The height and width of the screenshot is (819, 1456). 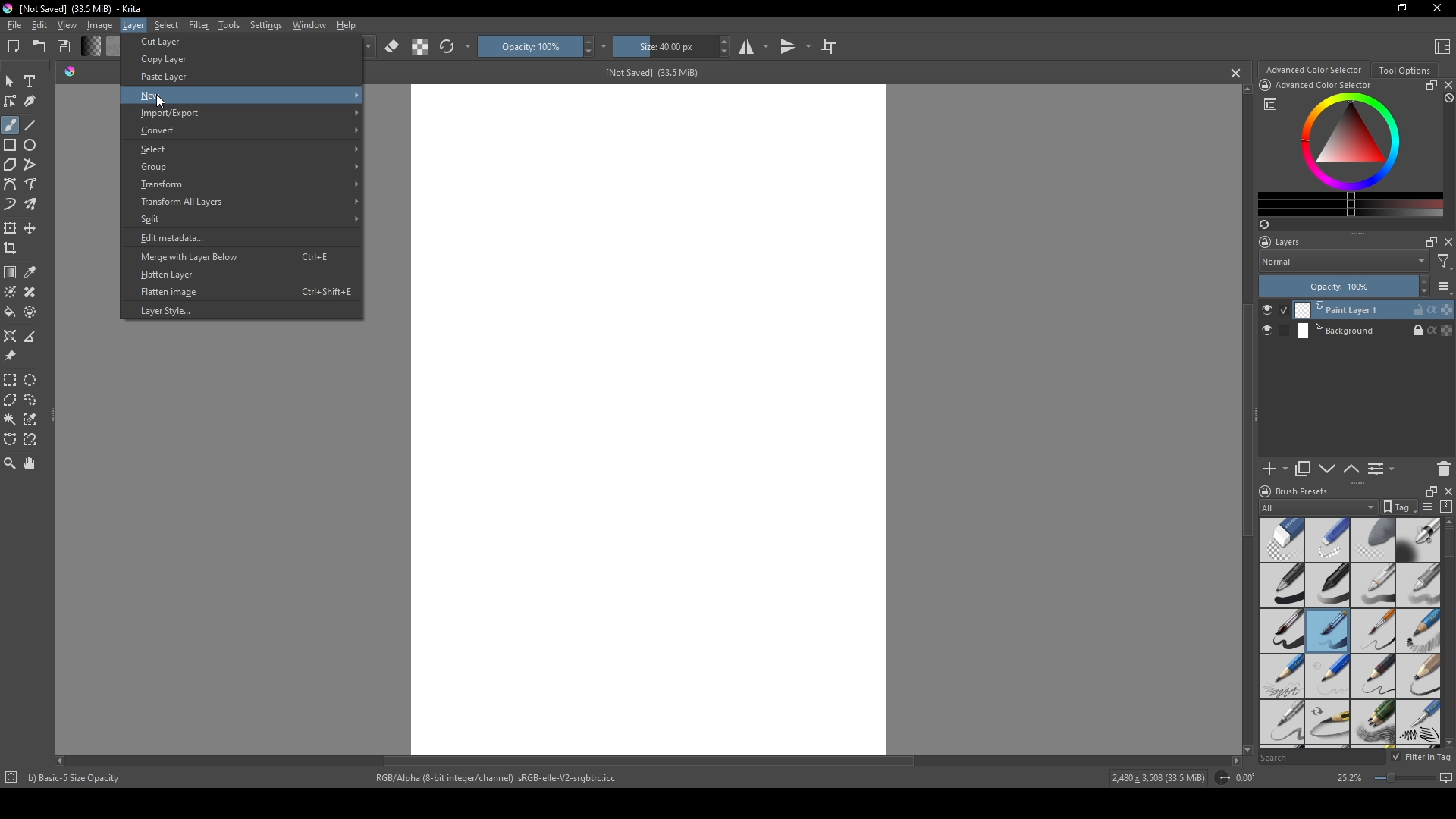 I want to click on up or down, so click(x=1352, y=469).